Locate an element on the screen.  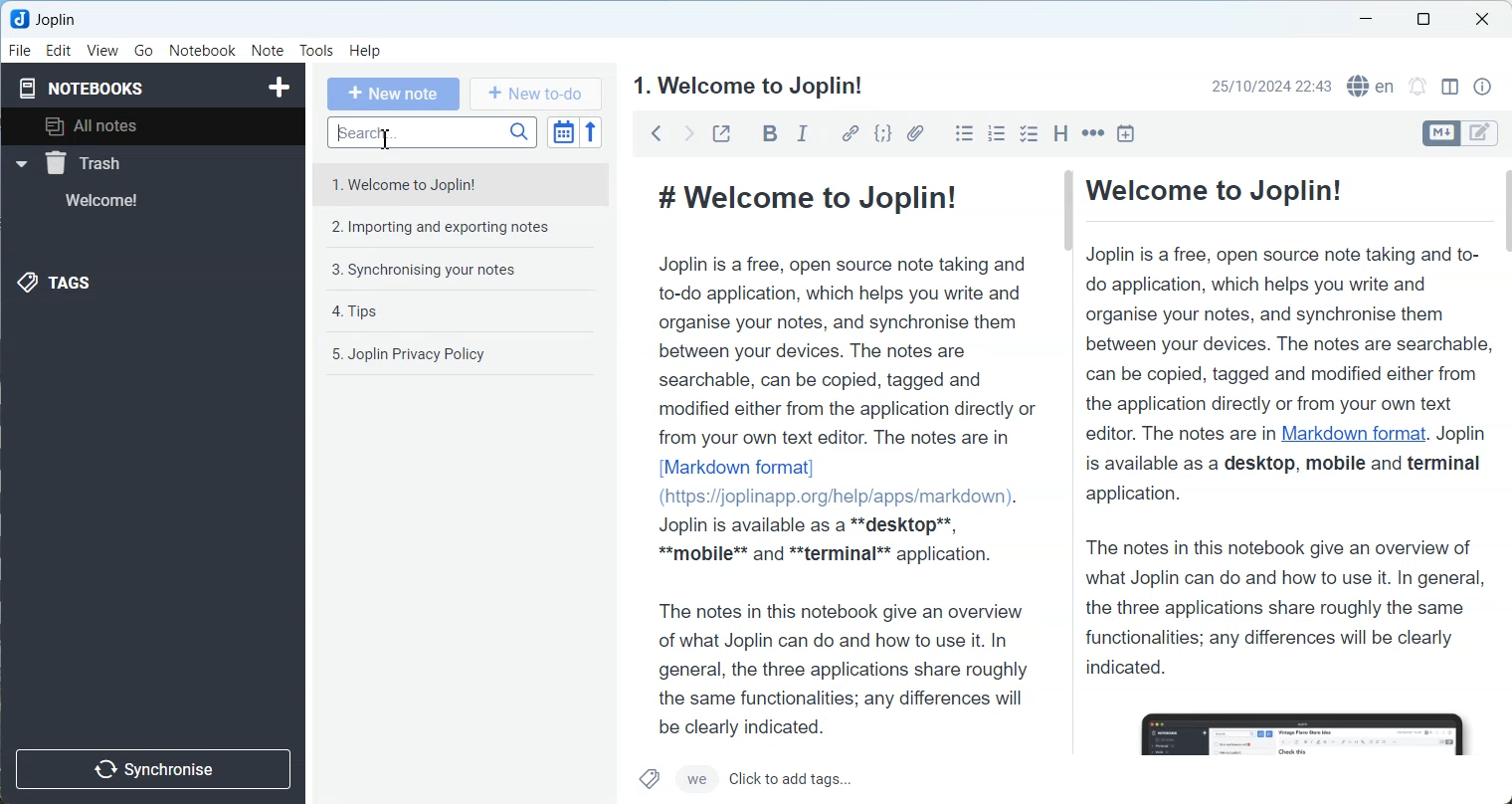
joplin logo is located at coordinates (20, 19).